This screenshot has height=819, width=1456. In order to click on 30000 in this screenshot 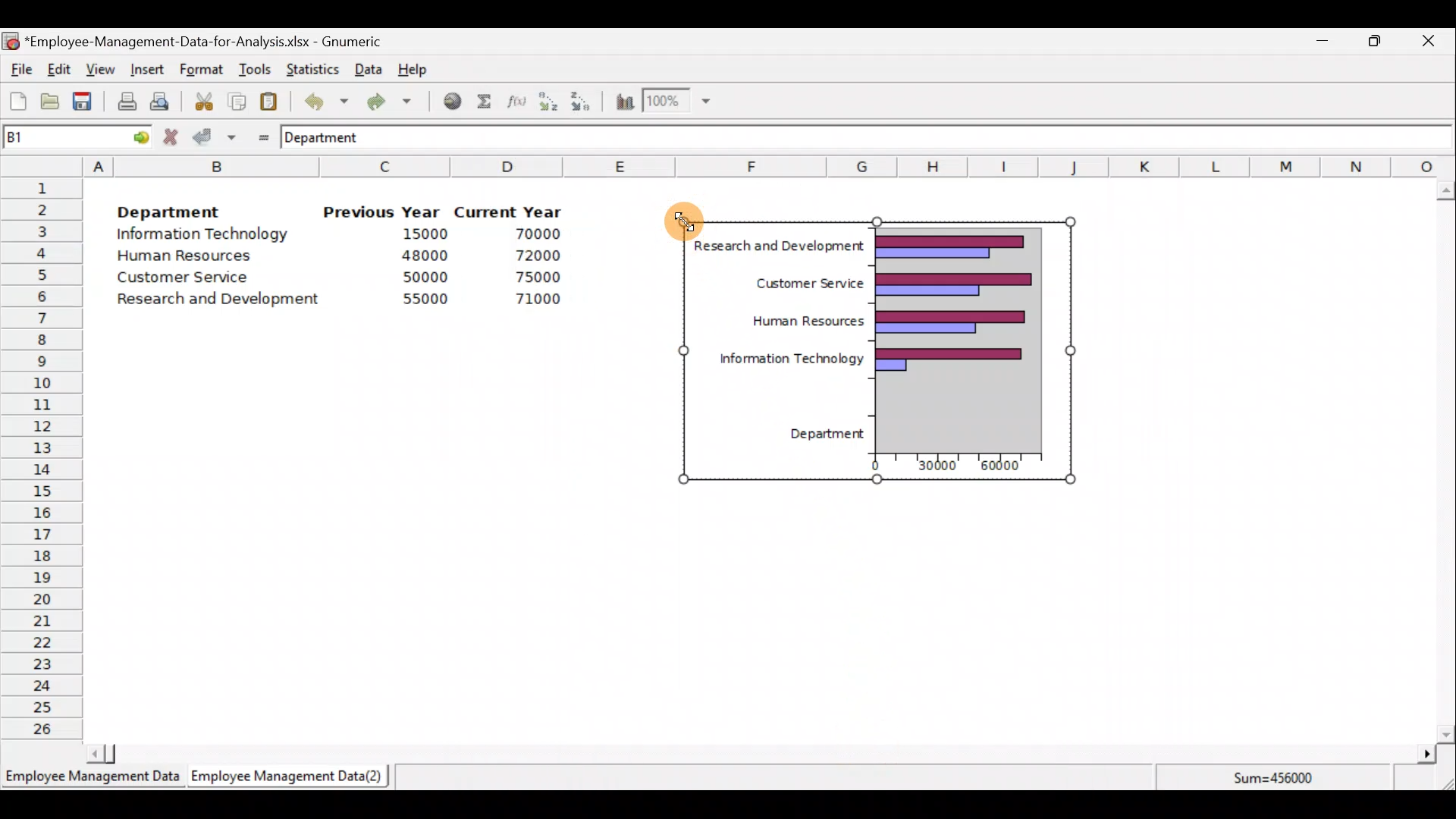, I will do `click(940, 469)`.